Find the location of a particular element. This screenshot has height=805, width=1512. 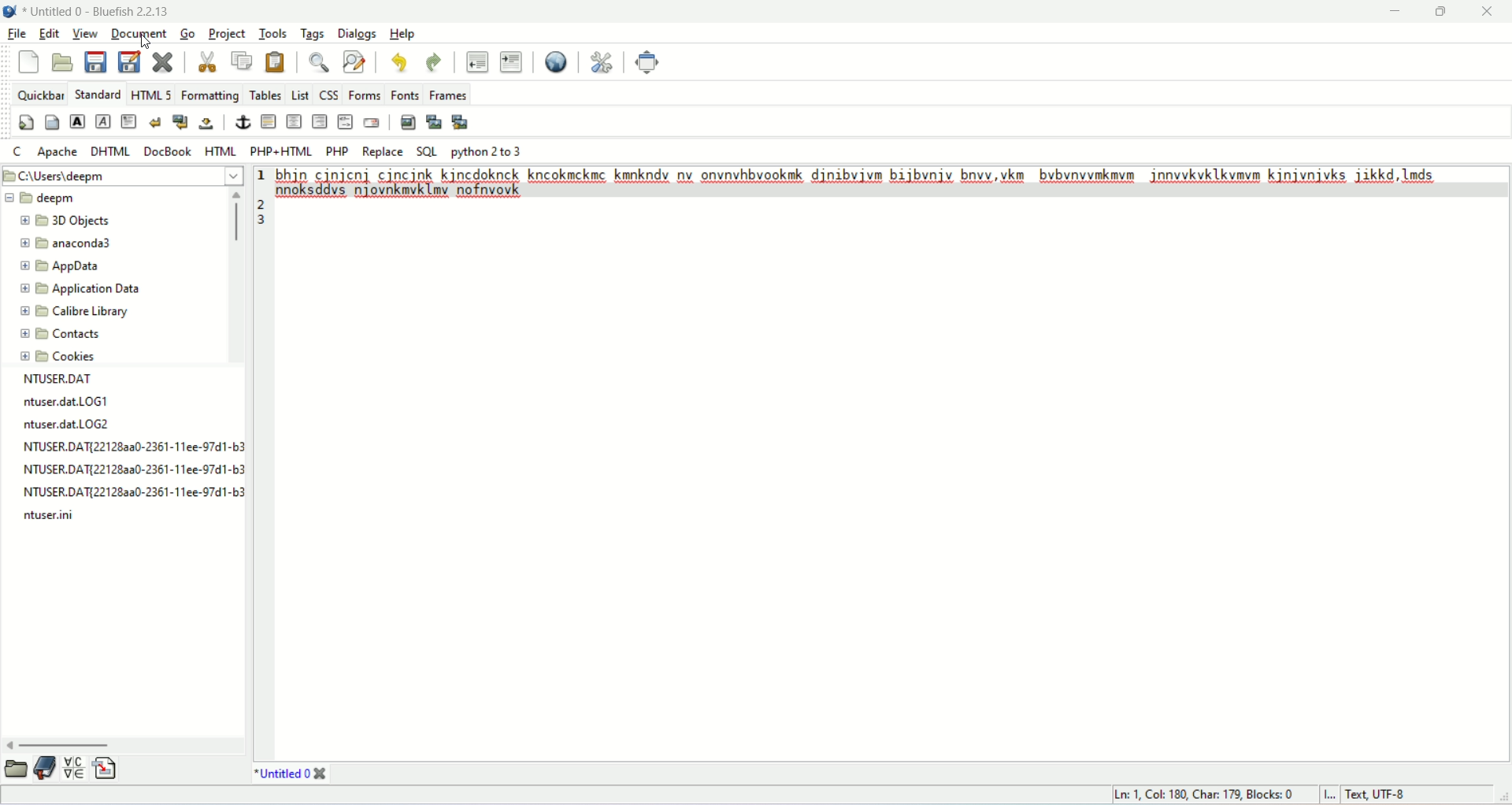

file name is located at coordinates (57, 517).